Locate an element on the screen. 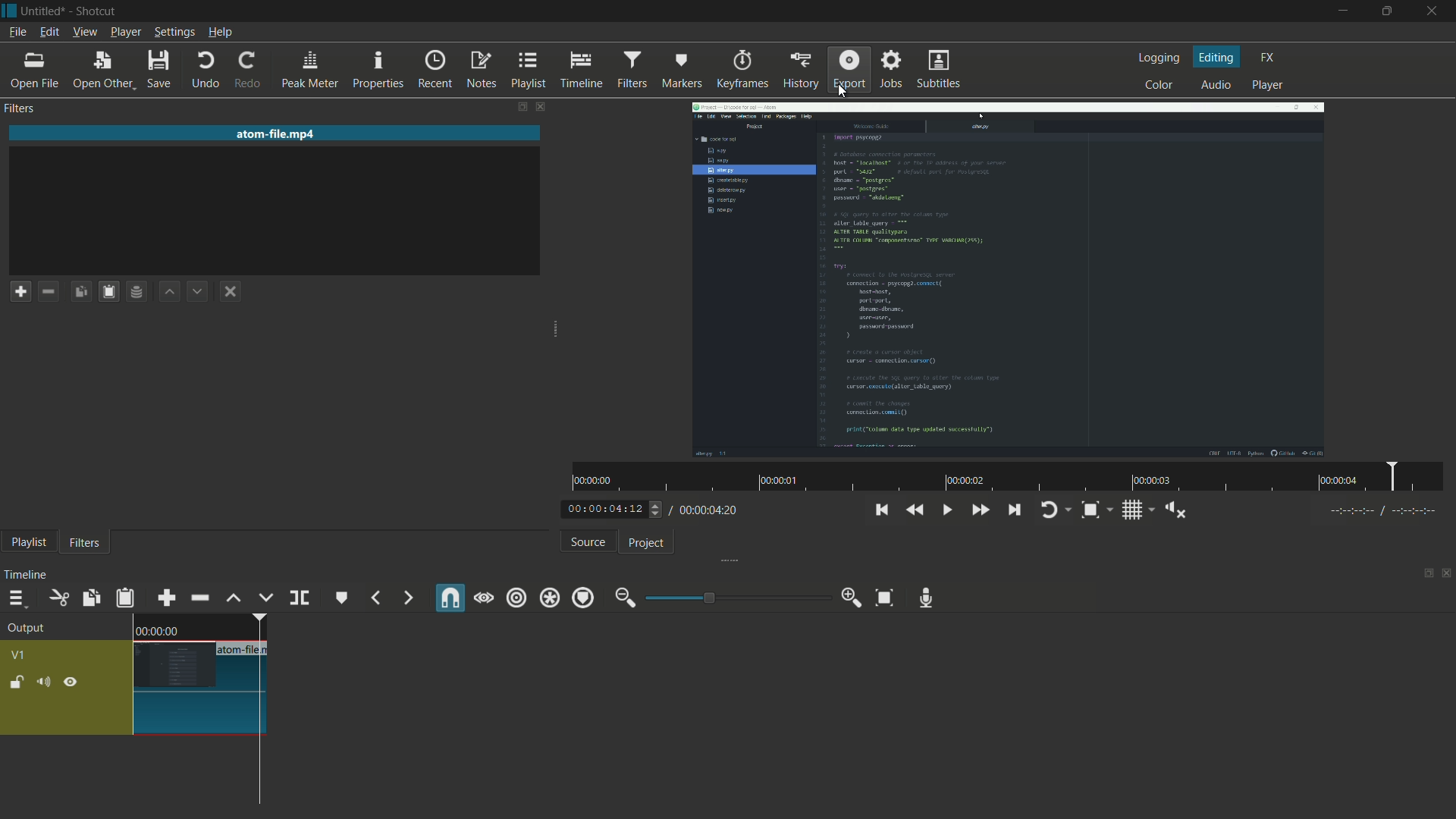 The image size is (1456, 819). minimize is located at coordinates (1341, 11).